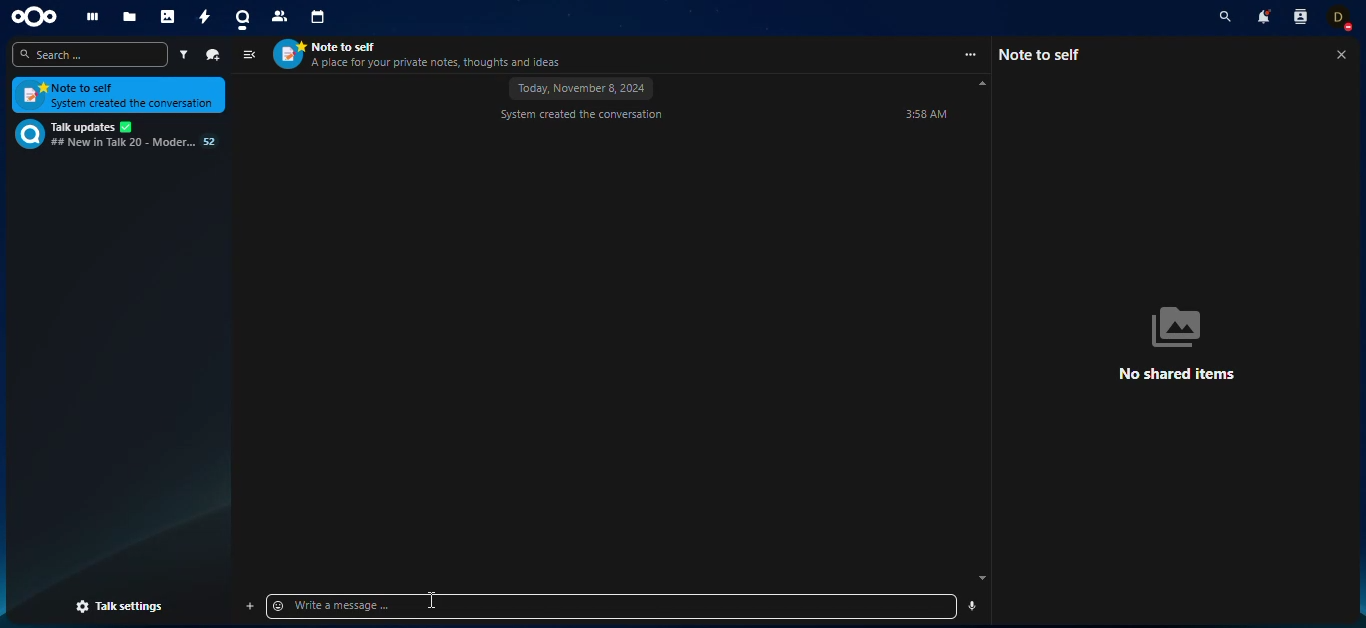 The height and width of the screenshot is (628, 1366). Describe the element at coordinates (170, 17) in the screenshot. I see `photos` at that location.